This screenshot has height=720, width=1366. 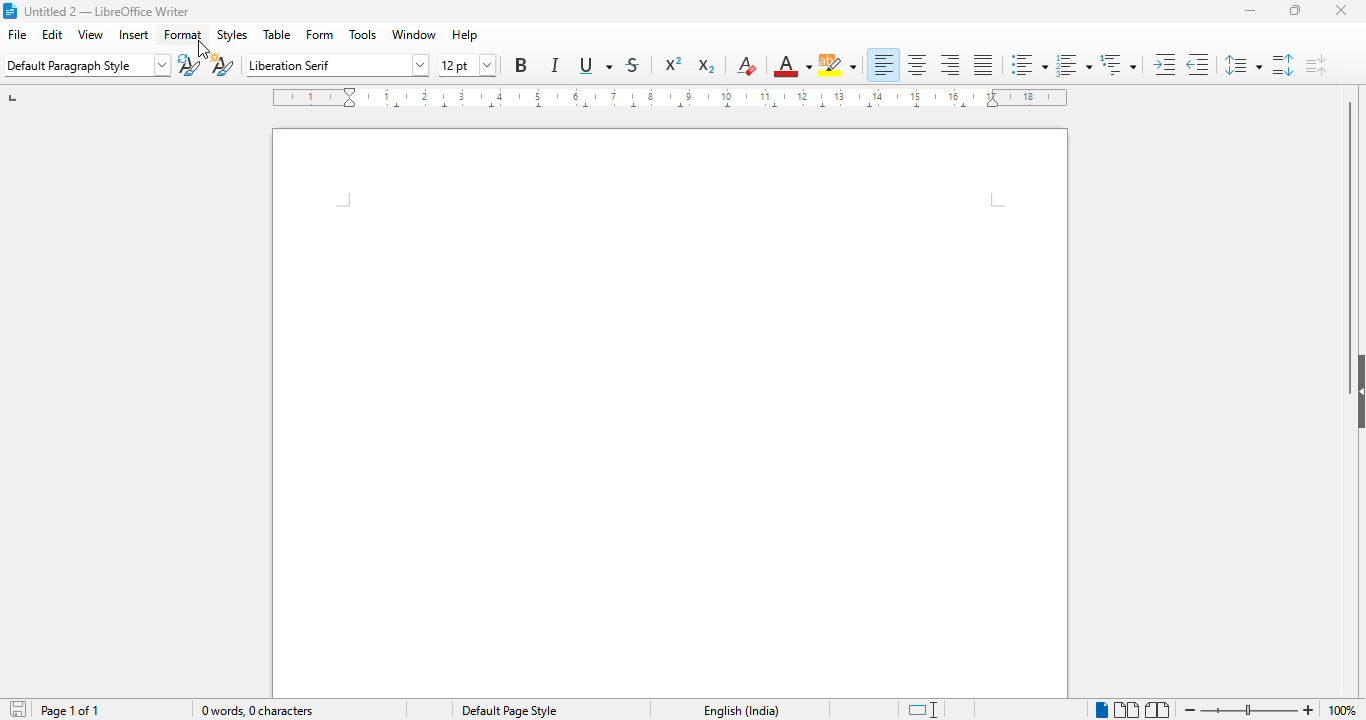 What do you see at coordinates (412, 35) in the screenshot?
I see `window` at bounding box center [412, 35].